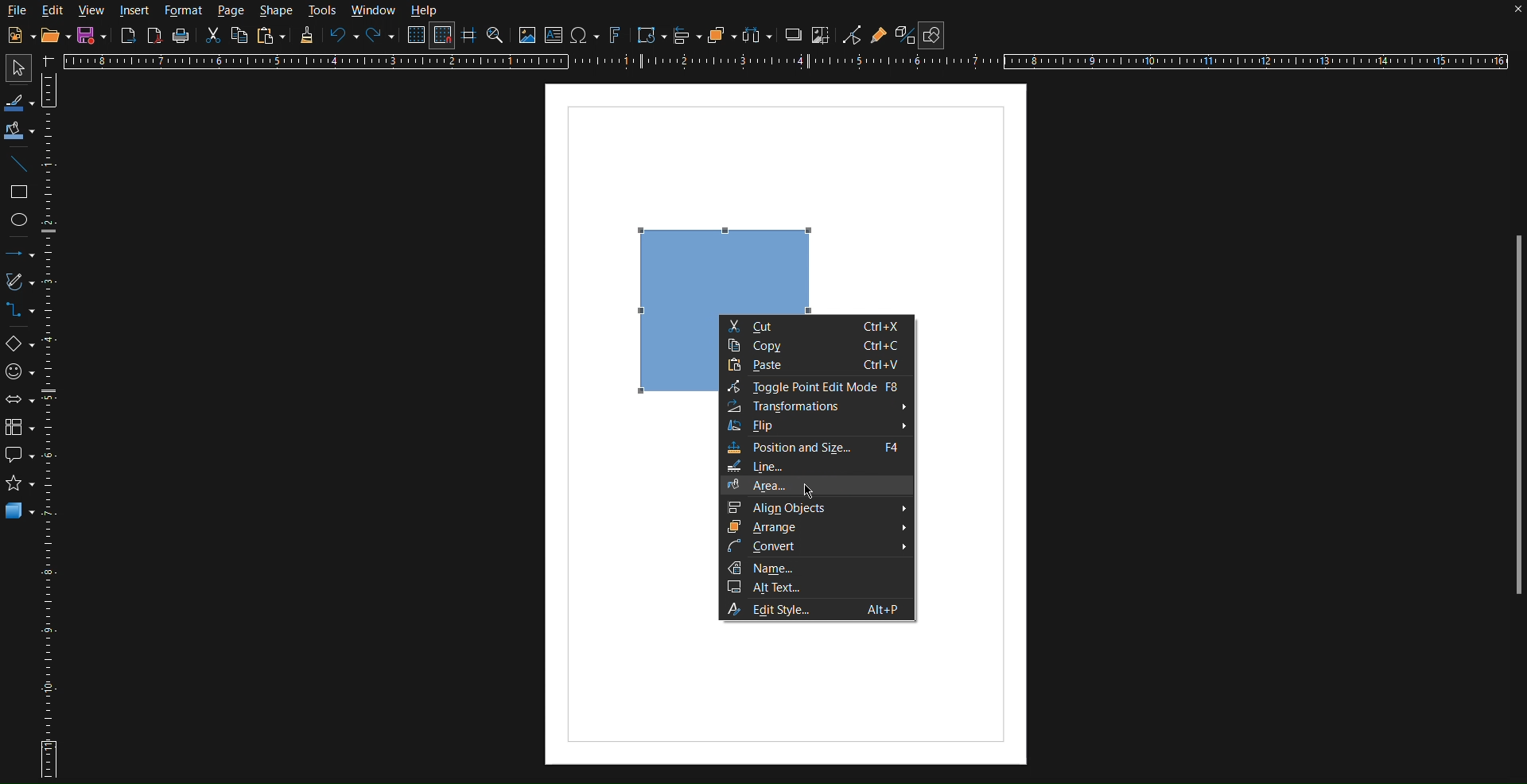 The image size is (1527, 784). I want to click on Distribute Objects, so click(757, 35).